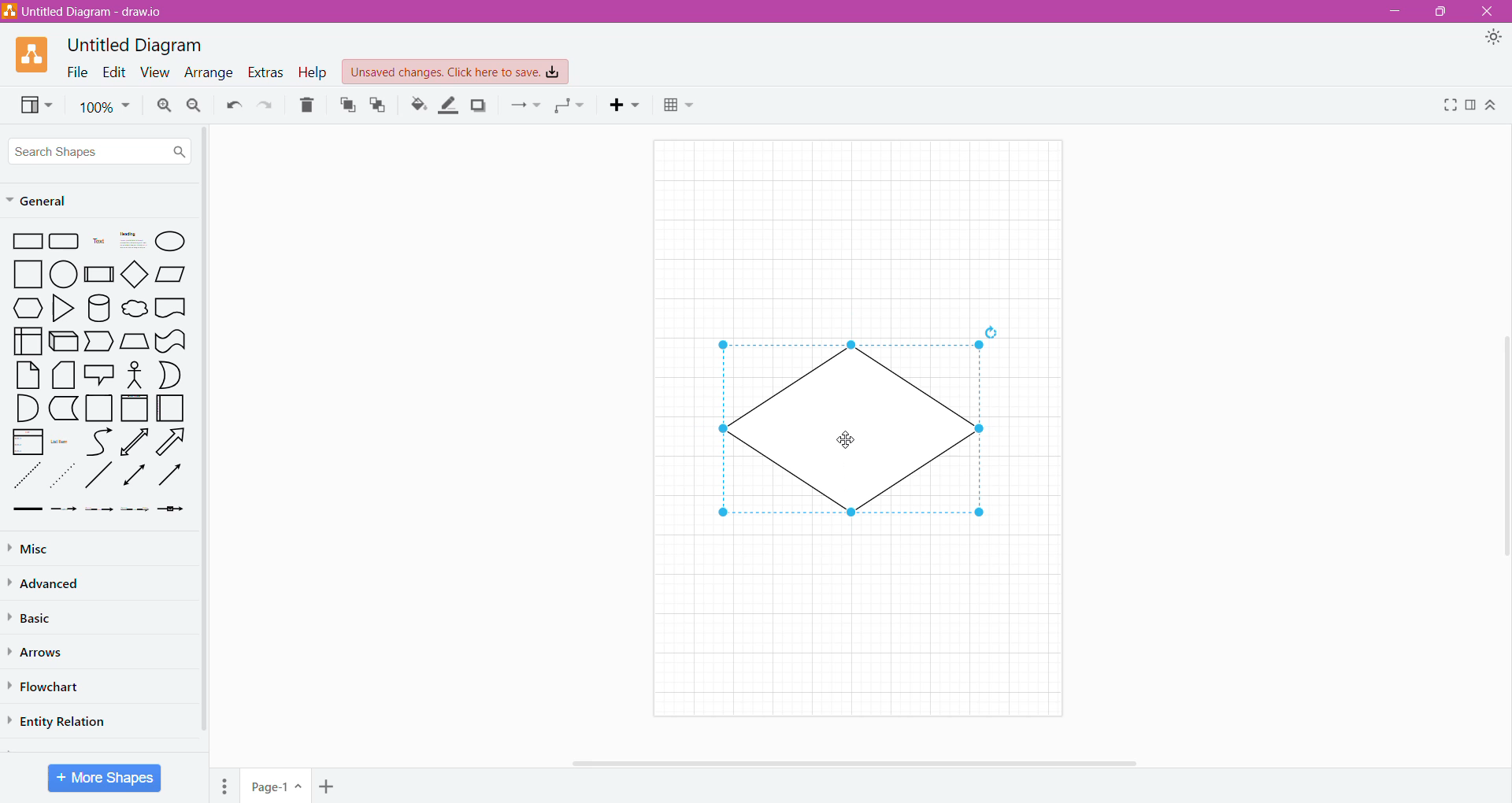 This screenshot has height=803, width=1512. I want to click on Fill Color, so click(419, 105).